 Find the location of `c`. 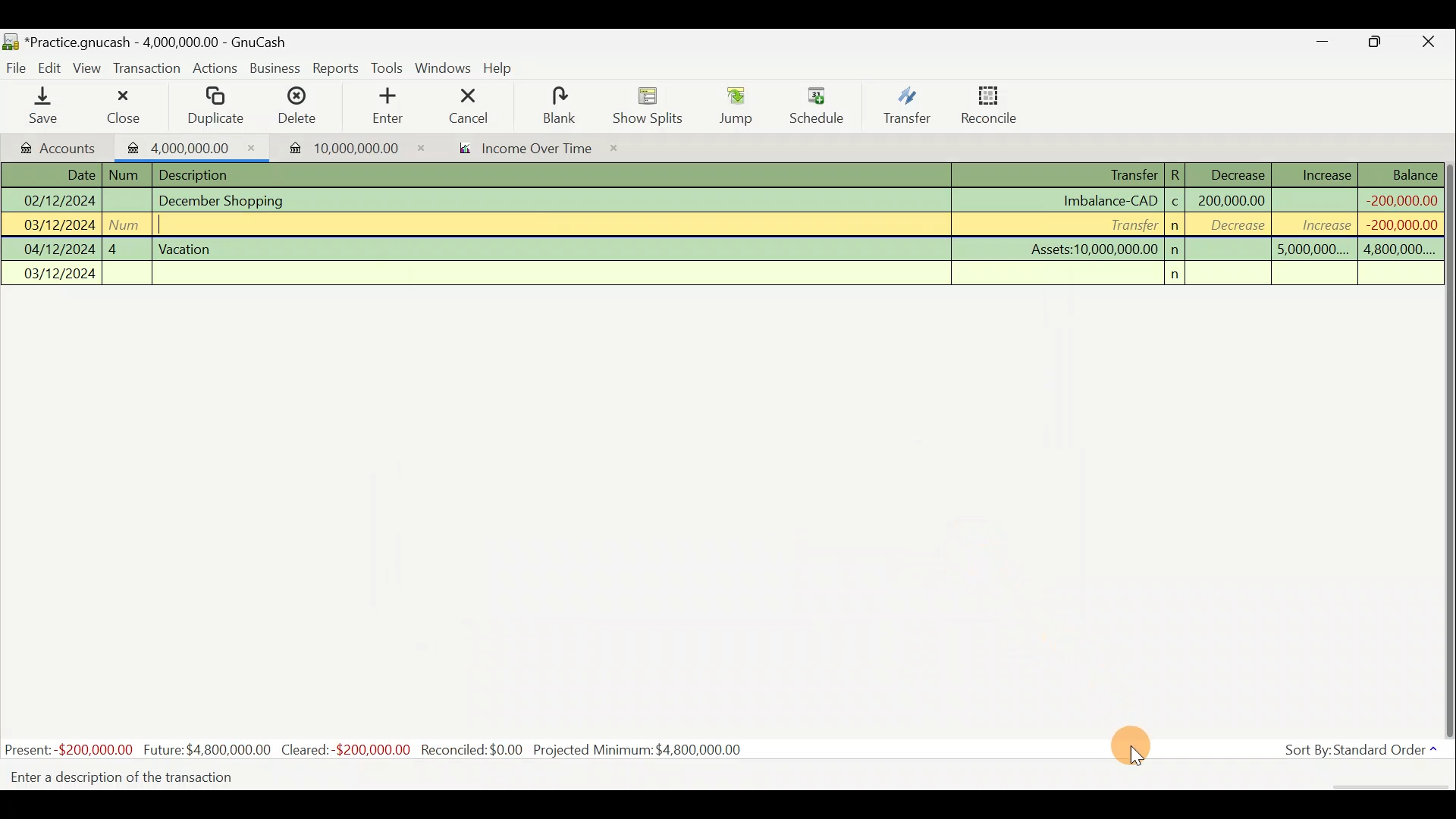

c is located at coordinates (1175, 203).